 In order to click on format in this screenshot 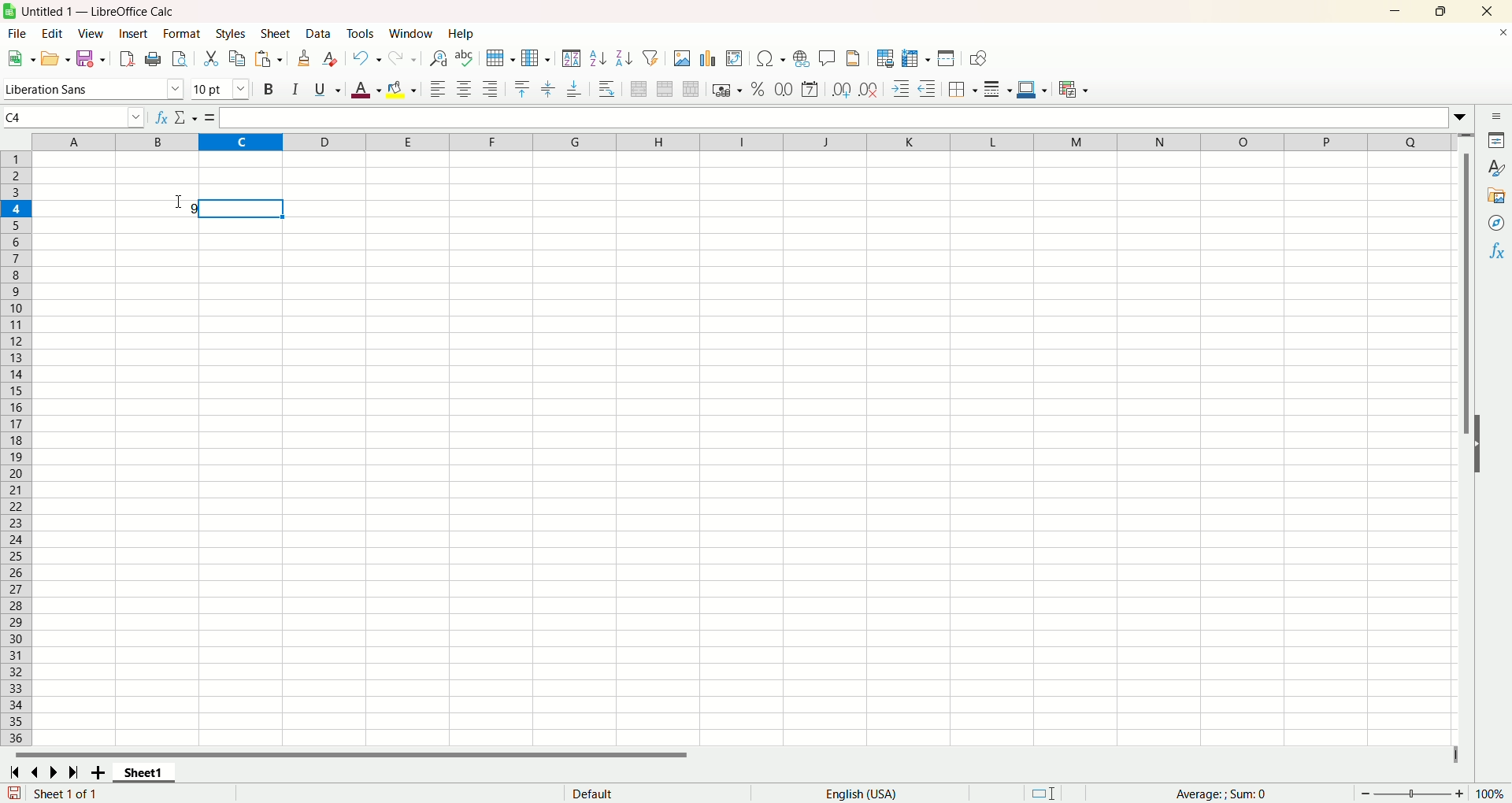, I will do `click(181, 33)`.